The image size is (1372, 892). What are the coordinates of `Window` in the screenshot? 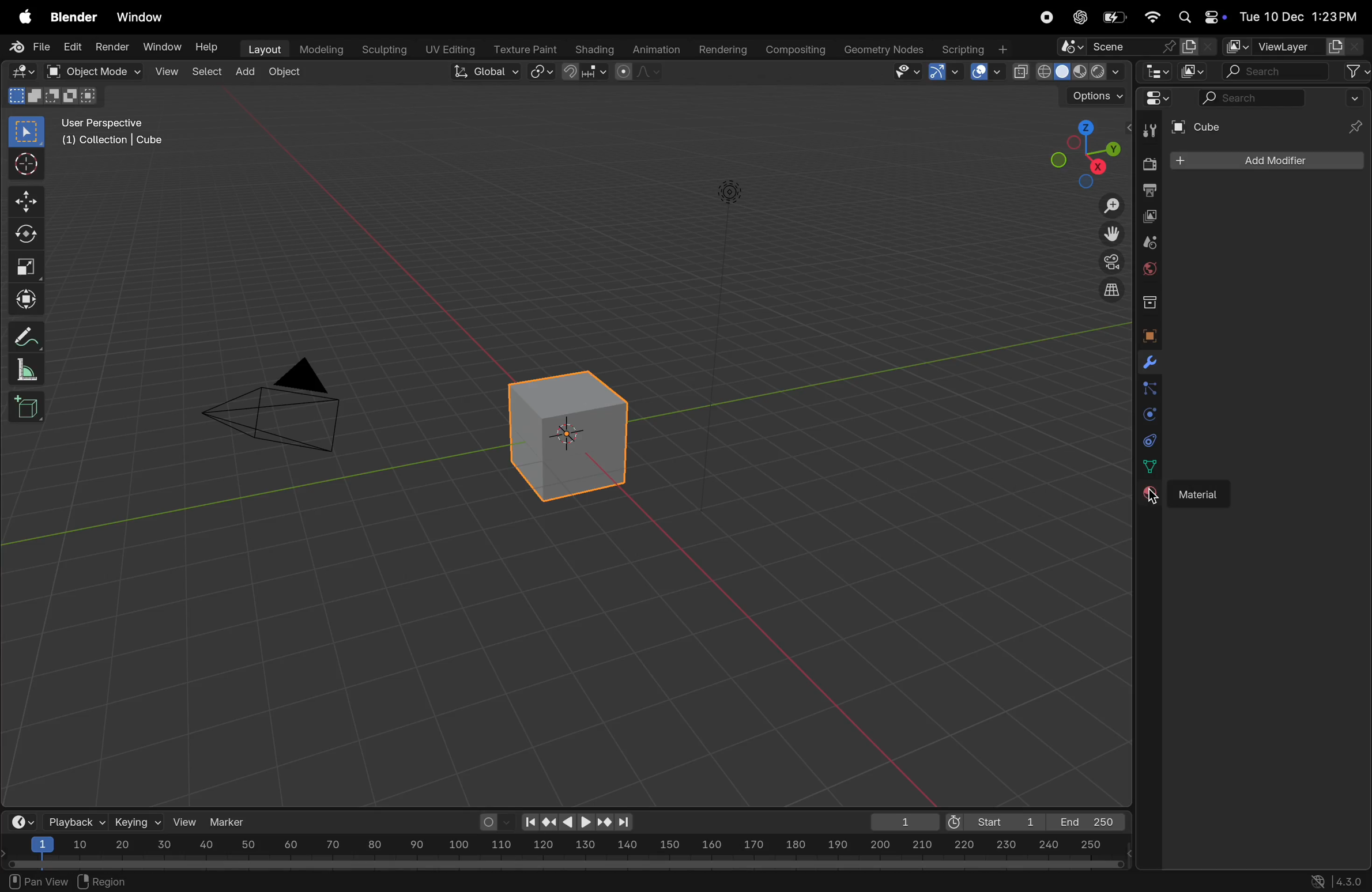 It's located at (163, 47).